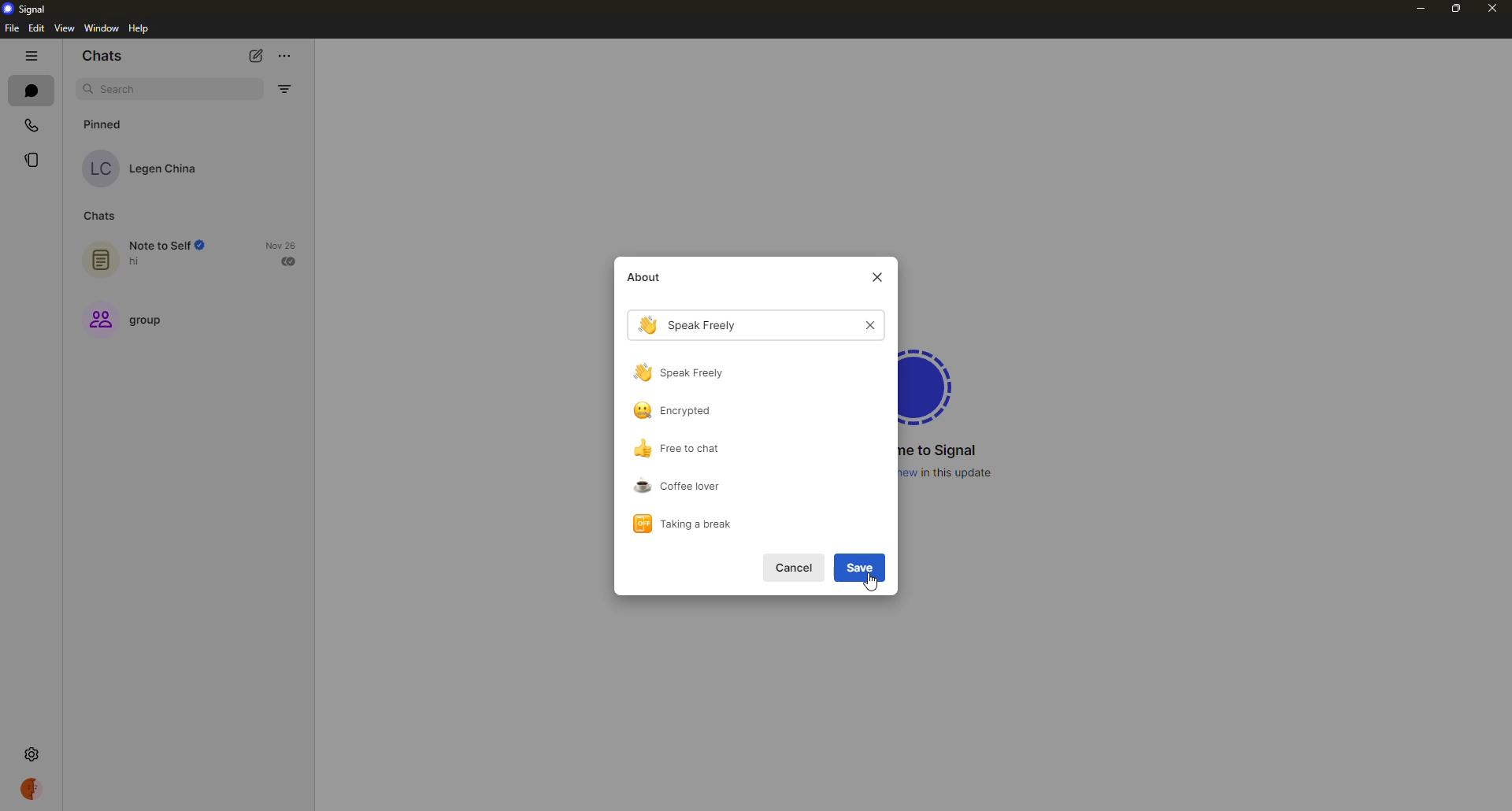 Image resolution: width=1512 pixels, height=811 pixels. I want to click on pinned, so click(107, 124).